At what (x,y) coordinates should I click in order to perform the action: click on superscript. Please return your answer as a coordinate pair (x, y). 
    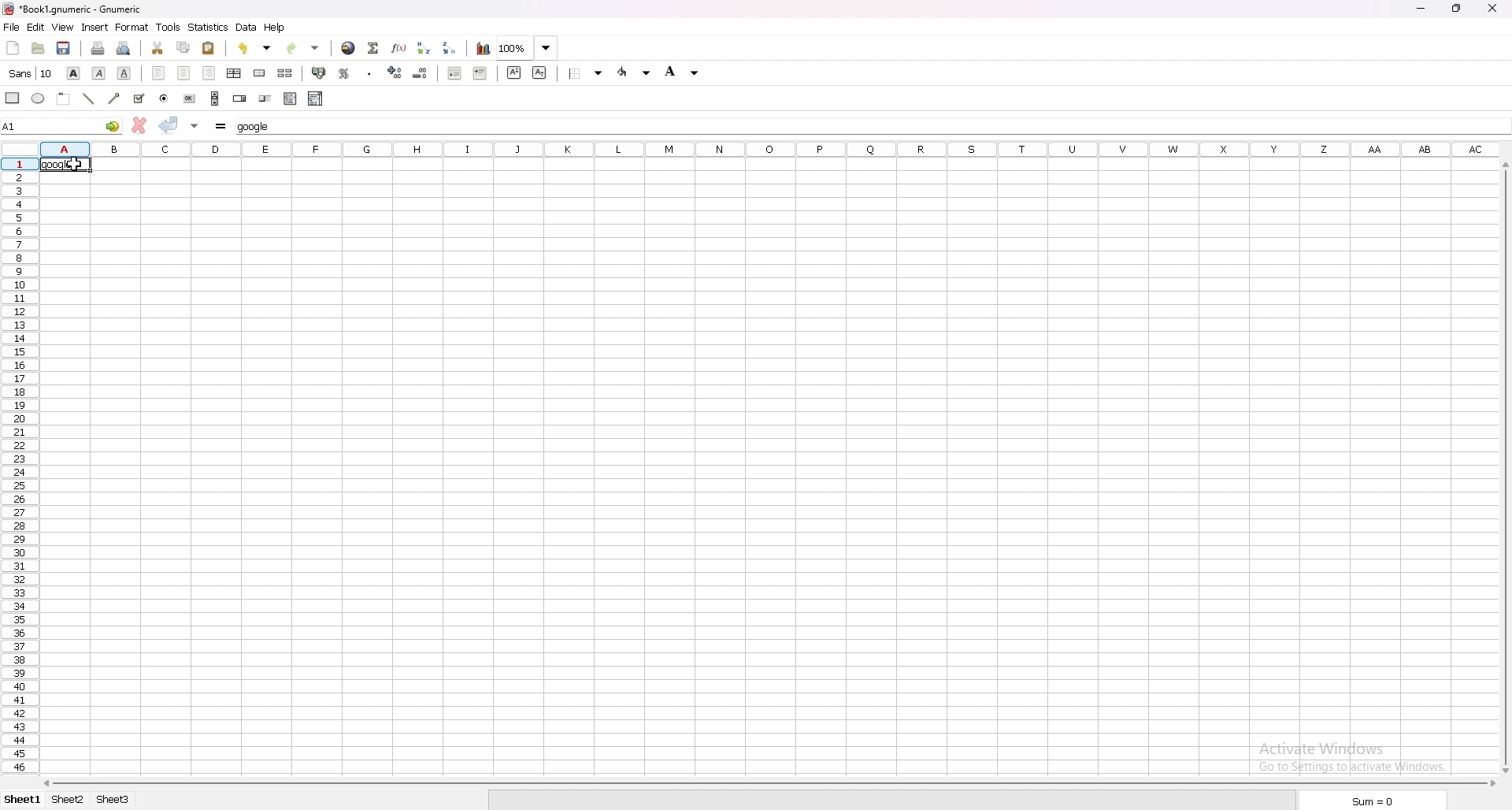
    Looking at the image, I should click on (515, 72).